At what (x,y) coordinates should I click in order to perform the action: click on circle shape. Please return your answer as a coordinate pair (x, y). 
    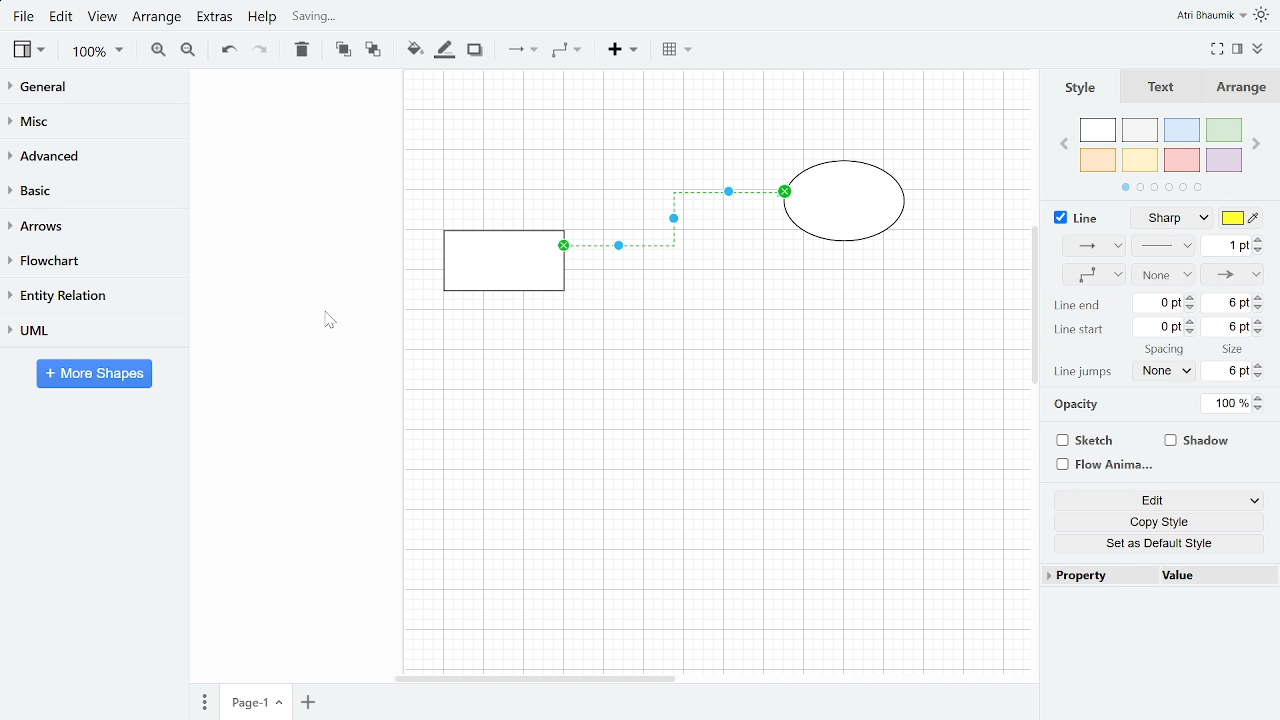
    Looking at the image, I should click on (848, 204).